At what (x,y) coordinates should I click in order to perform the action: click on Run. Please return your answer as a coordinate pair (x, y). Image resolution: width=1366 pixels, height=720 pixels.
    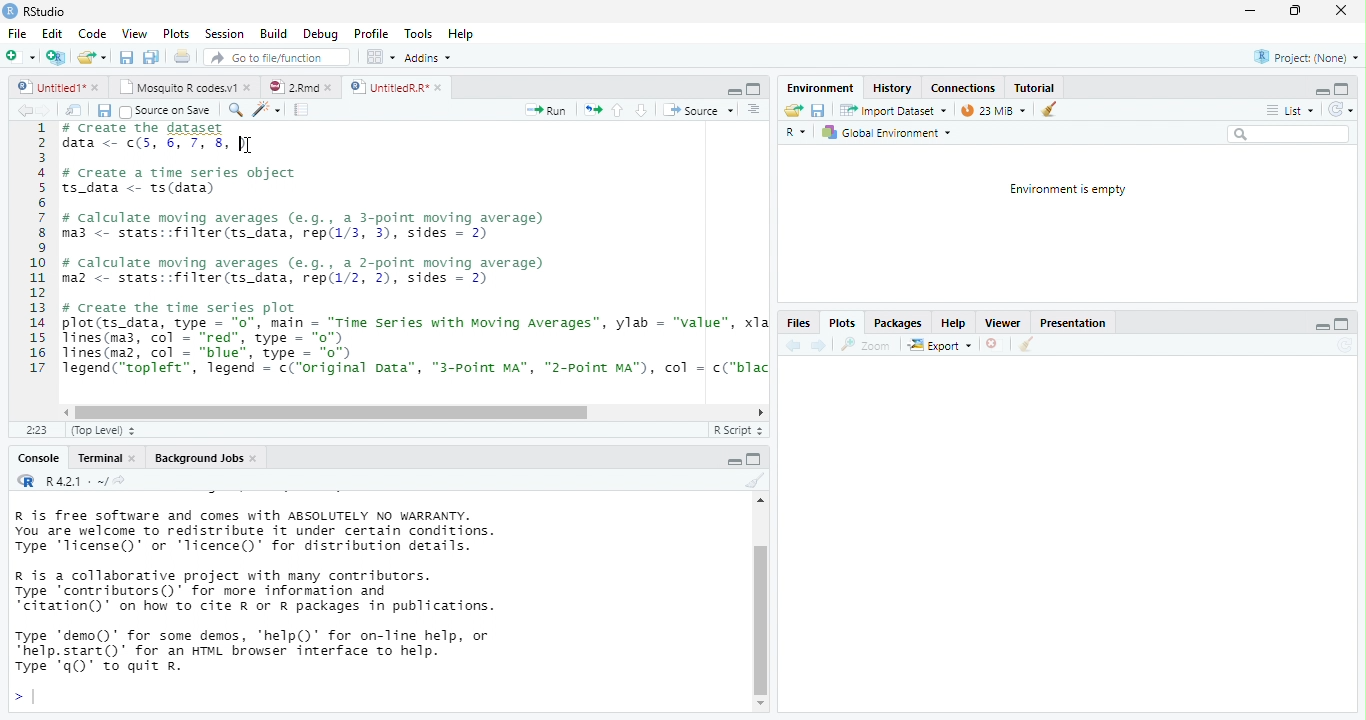
    Looking at the image, I should click on (547, 111).